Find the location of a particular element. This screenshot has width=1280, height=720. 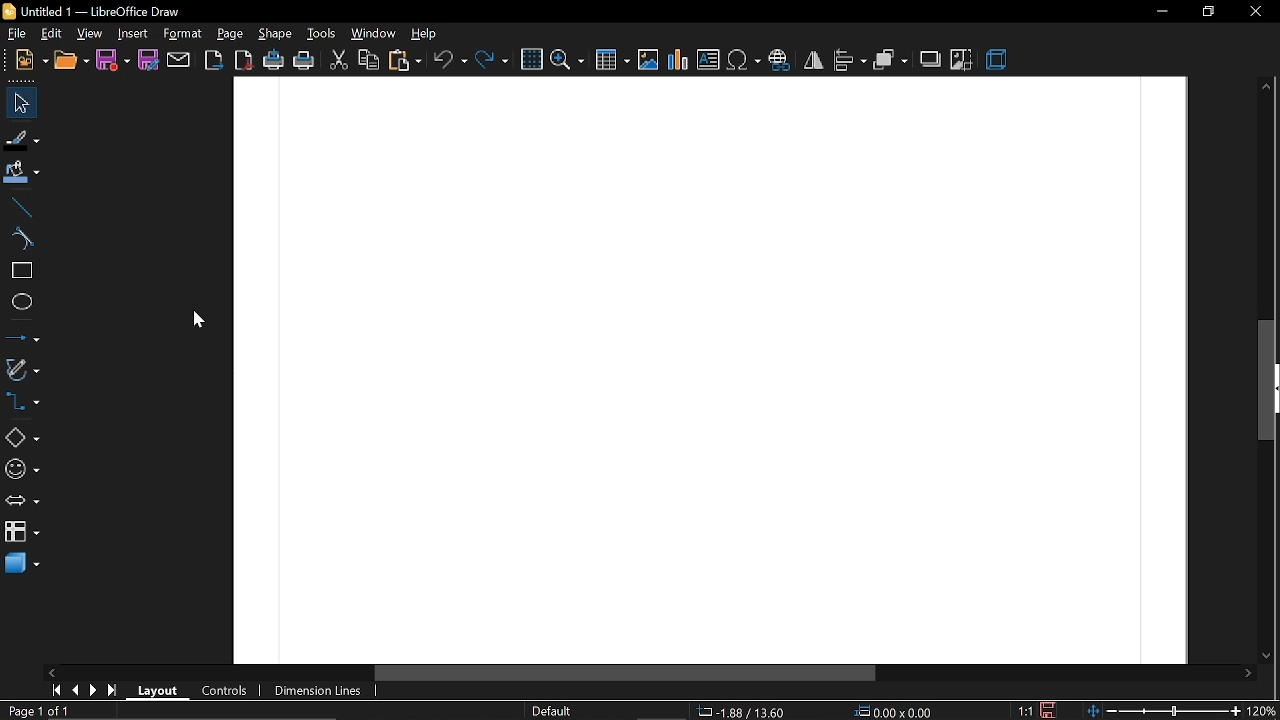

align is located at coordinates (849, 60).